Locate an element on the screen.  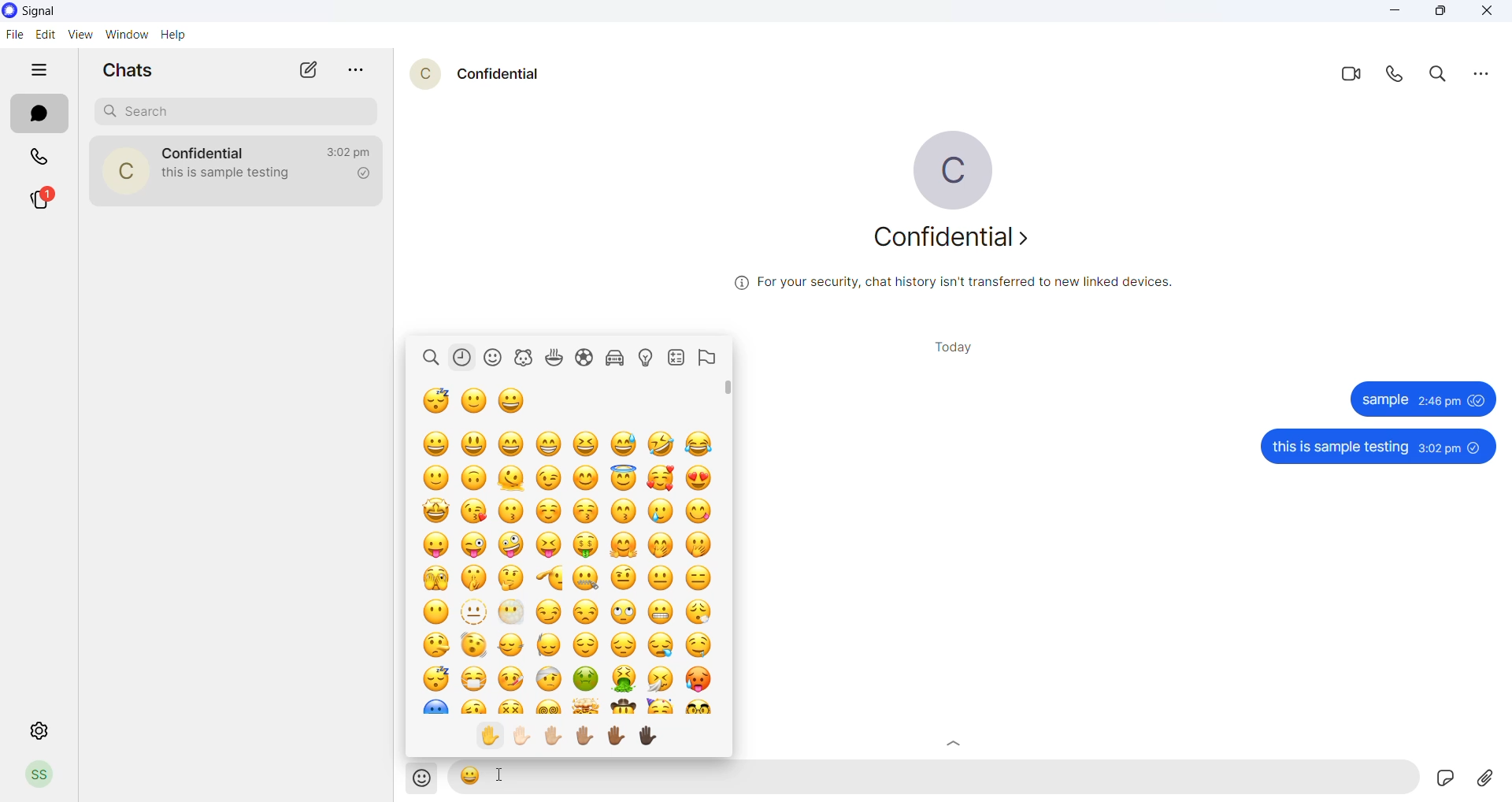
chats is located at coordinates (39, 114).